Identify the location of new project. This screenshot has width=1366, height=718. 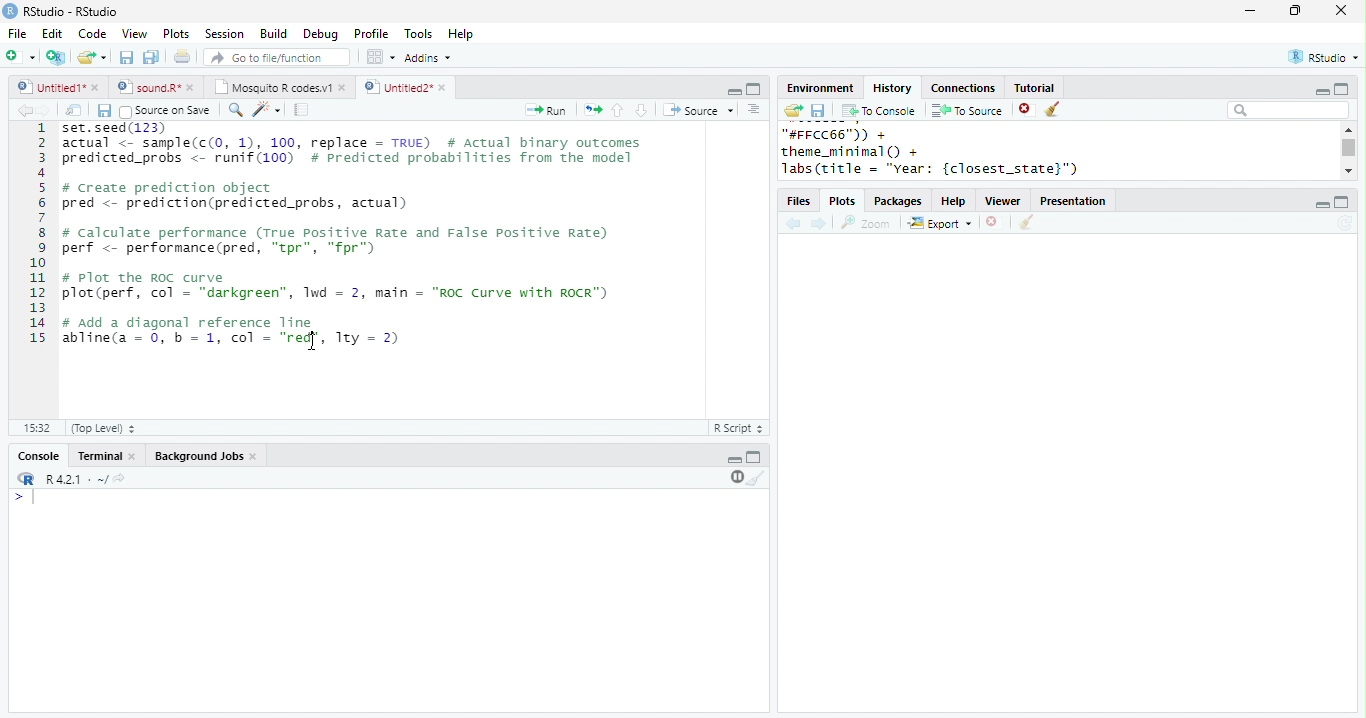
(57, 57).